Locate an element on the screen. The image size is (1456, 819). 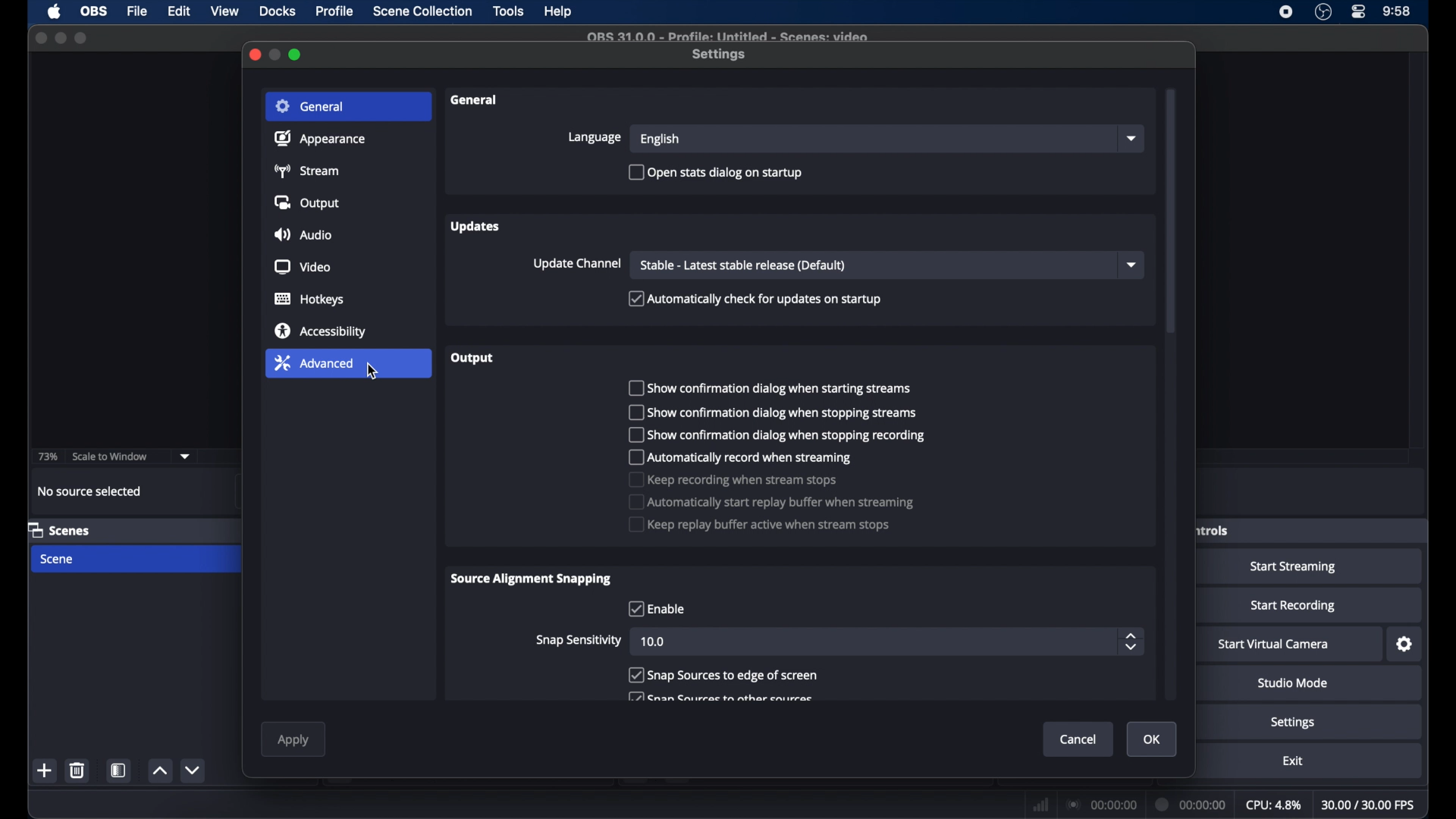
checkbox is located at coordinates (733, 479).